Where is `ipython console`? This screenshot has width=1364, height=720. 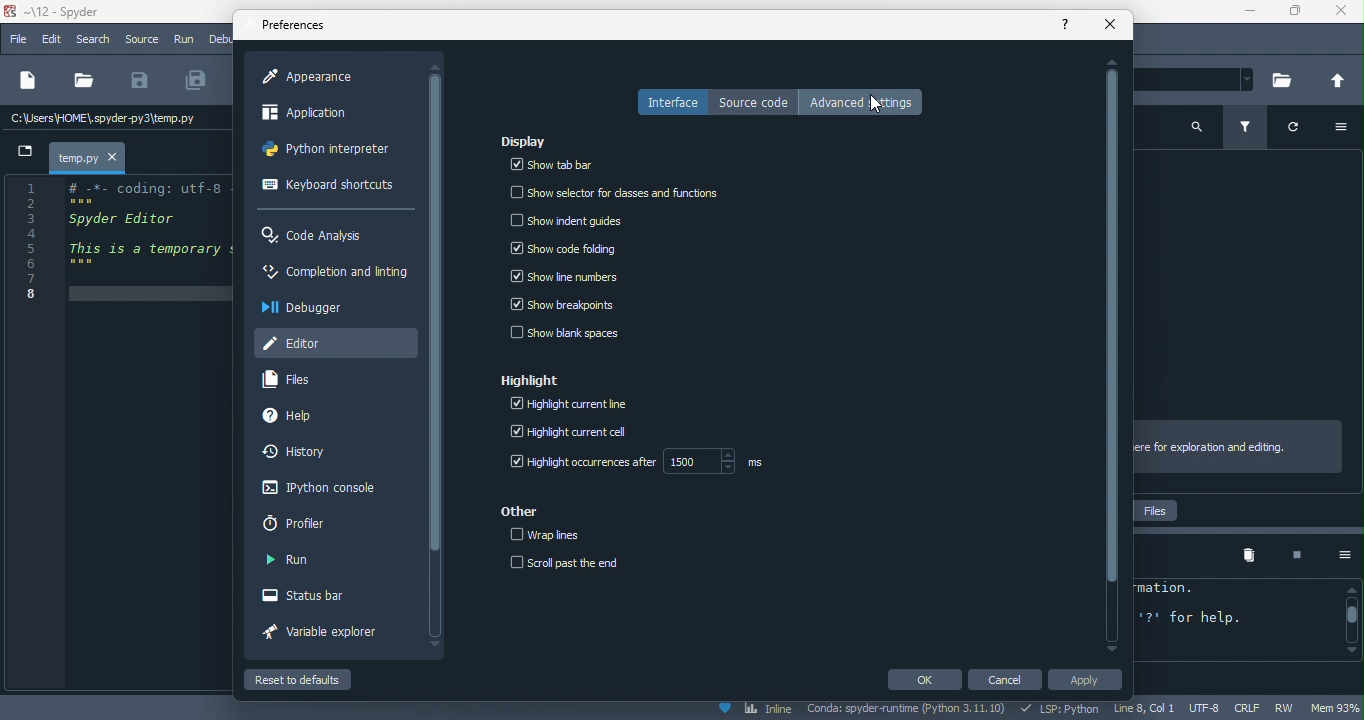 ipython console is located at coordinates (315, 489).